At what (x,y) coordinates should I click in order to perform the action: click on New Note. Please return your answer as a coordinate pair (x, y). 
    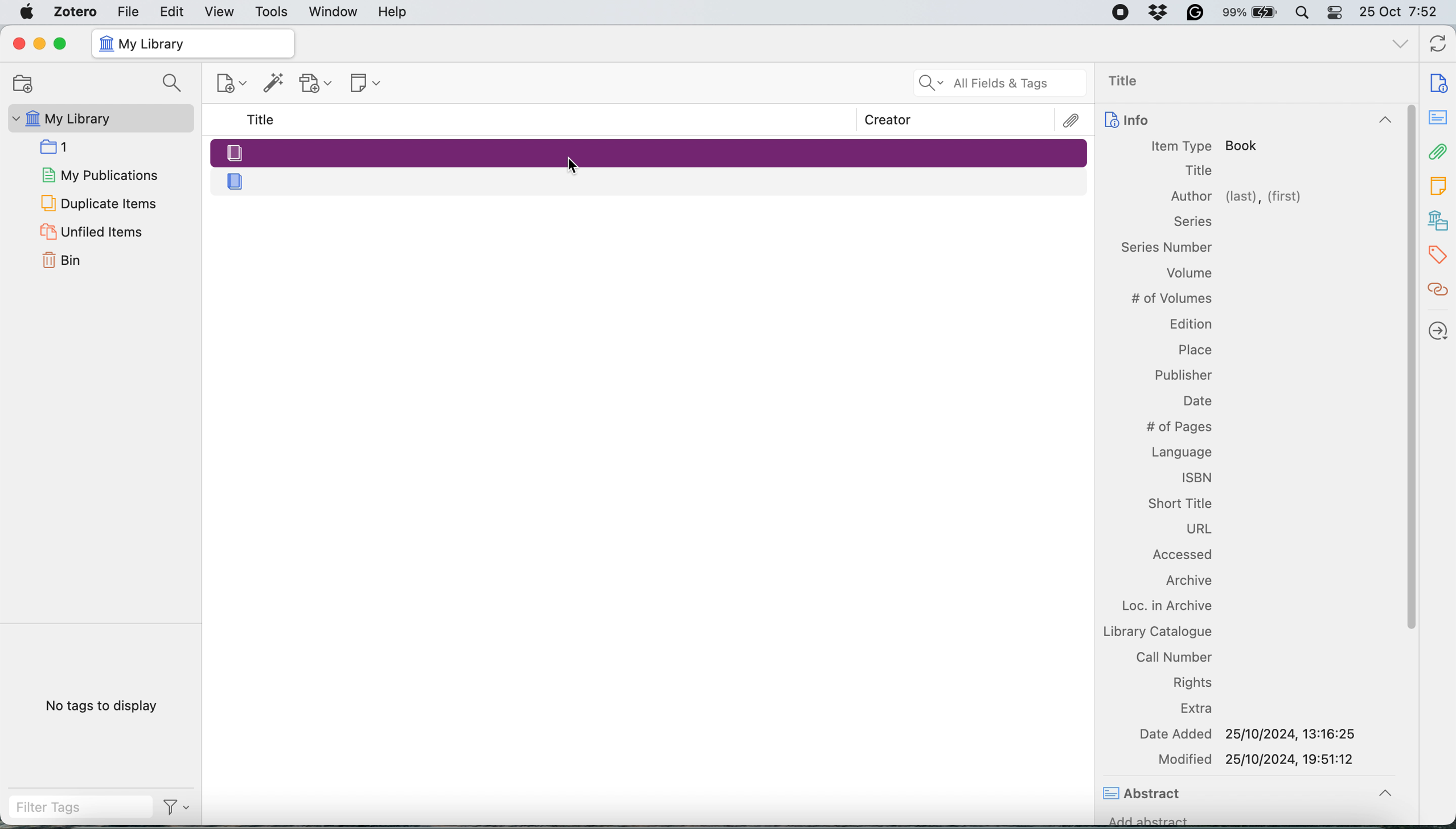
    Looking at the image, I should click on (367, 84).